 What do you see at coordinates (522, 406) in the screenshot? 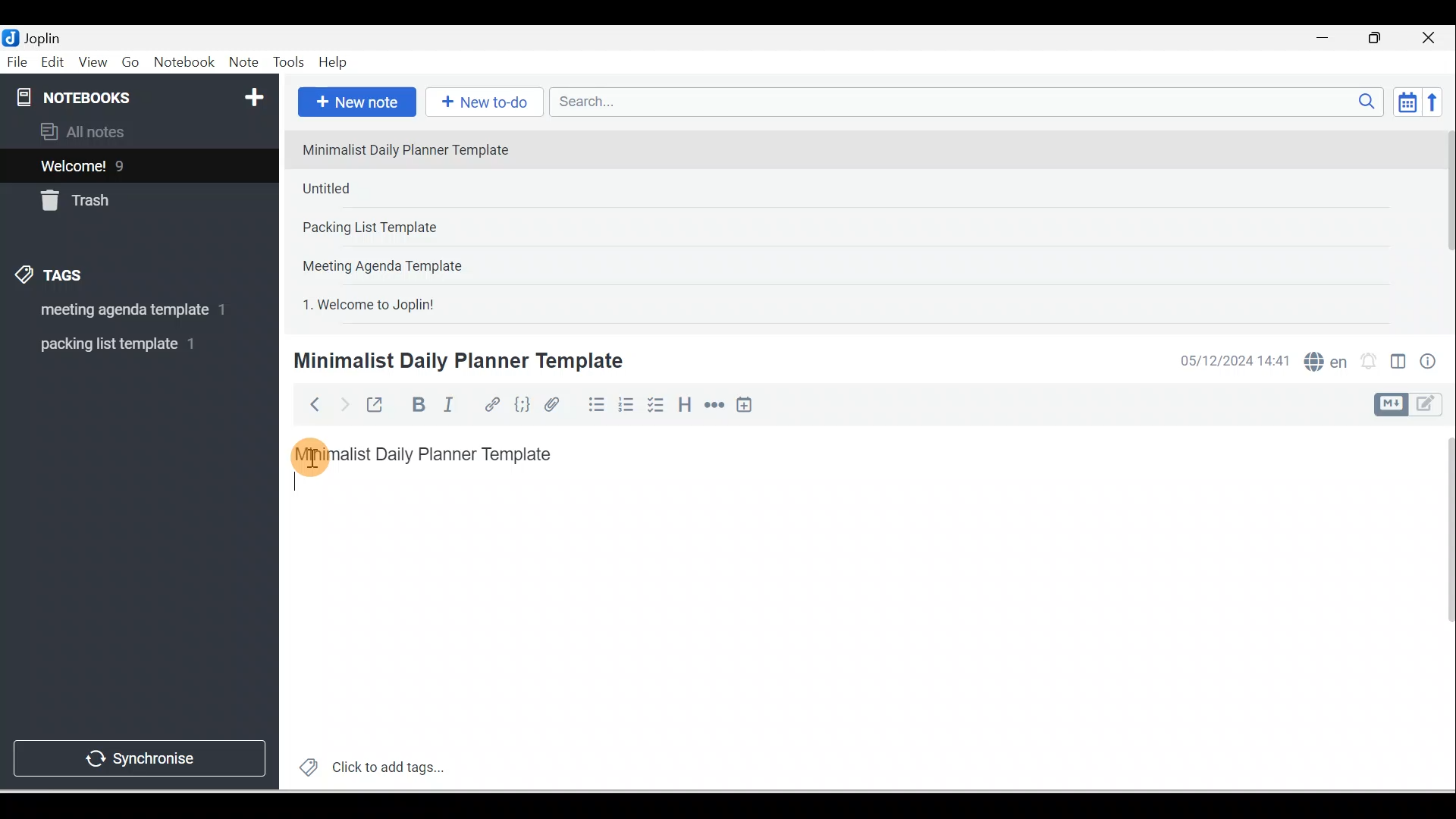
I see `Code` at bounding box center [522, 406].